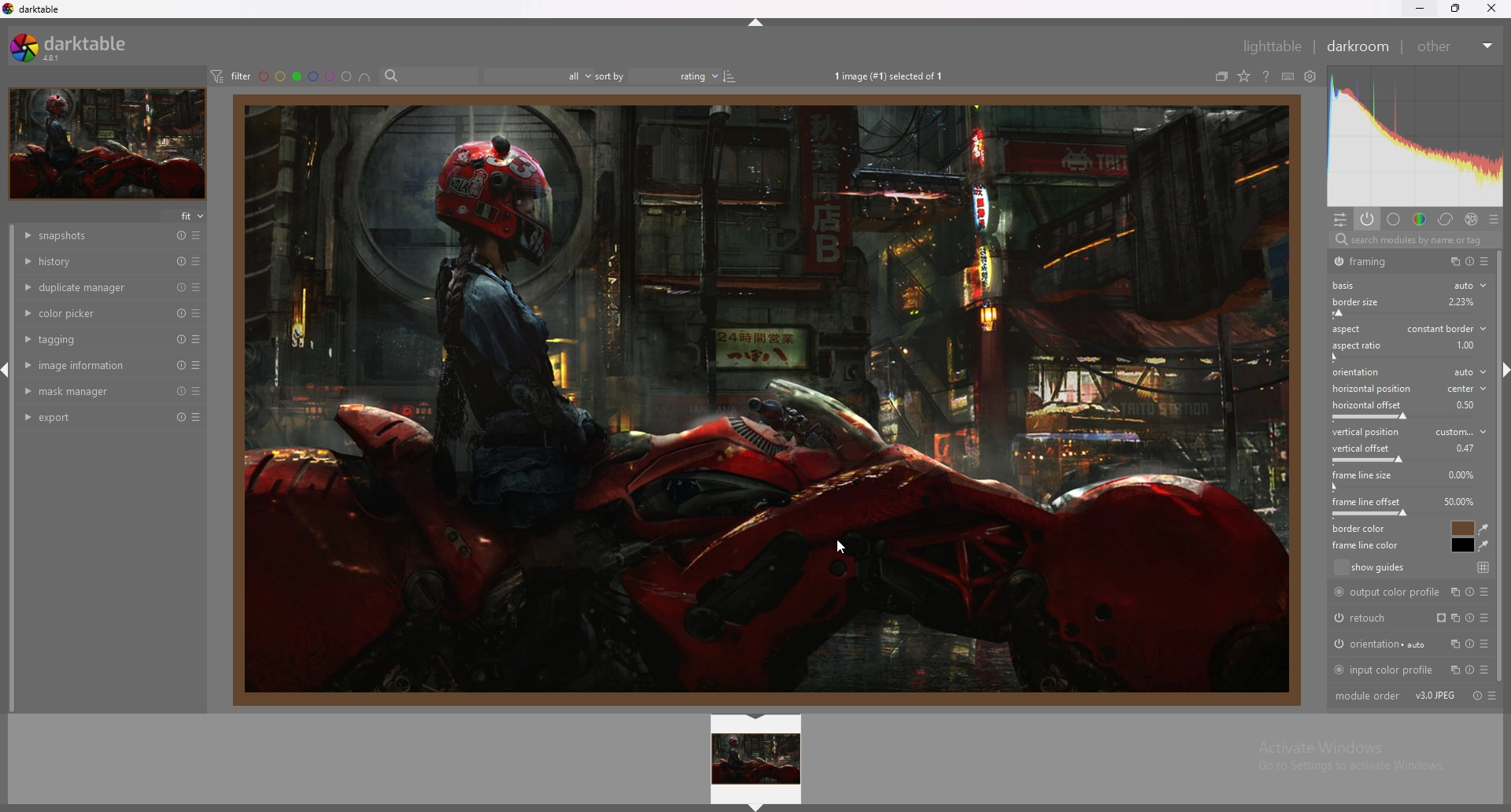  What do you see at coordinates (608, 76) in the screenshot?
I see `sort by` at bounding box center [608, 76].